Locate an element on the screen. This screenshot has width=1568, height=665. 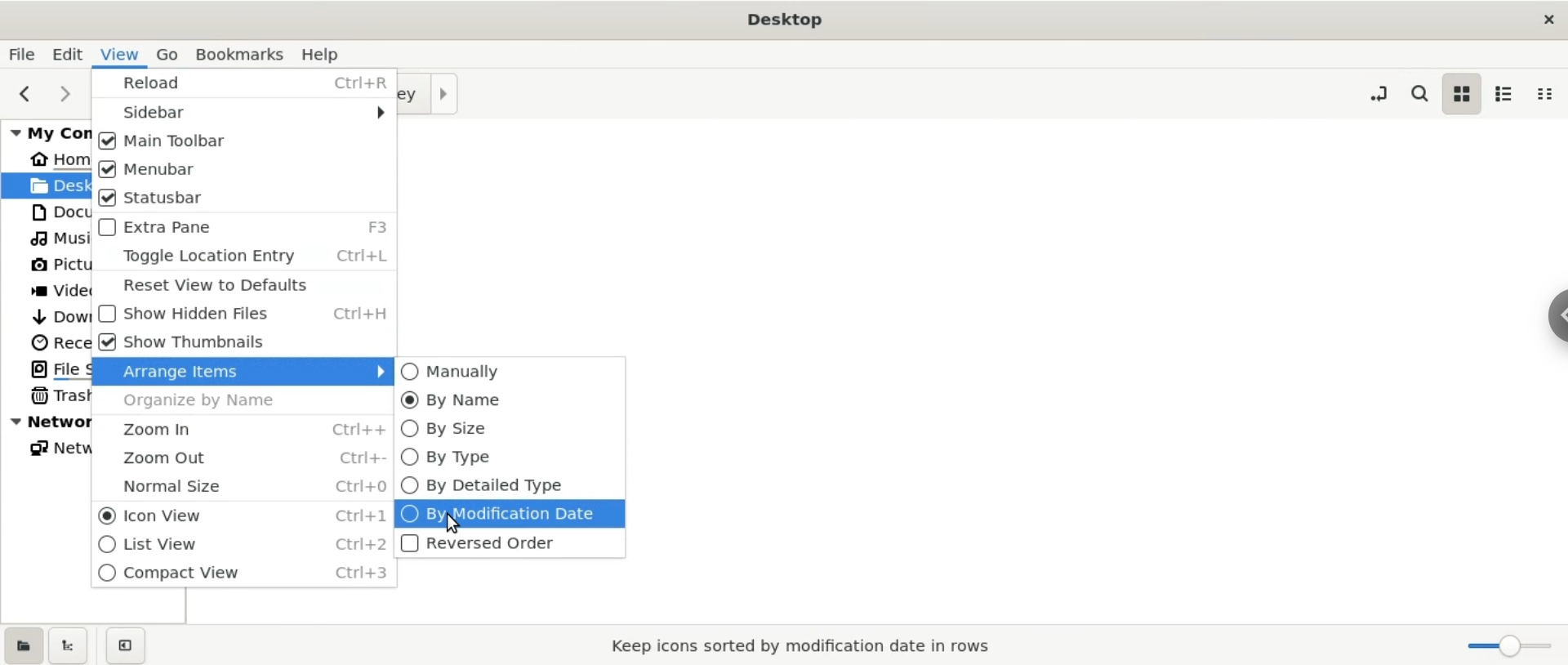
manually is located at coordinates (506, 368).